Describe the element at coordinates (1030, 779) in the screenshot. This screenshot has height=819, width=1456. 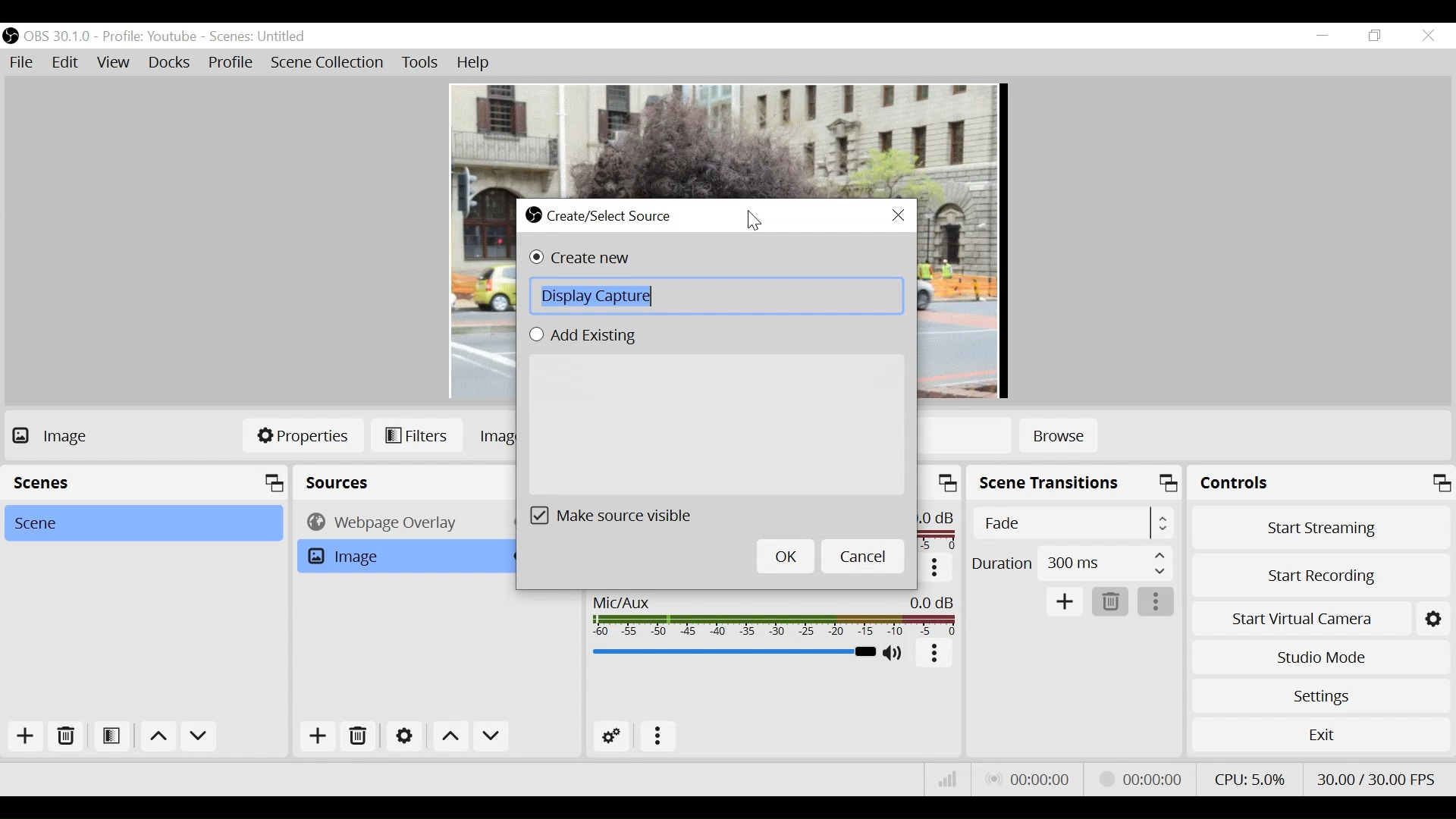
I see `Live Status` at that location.